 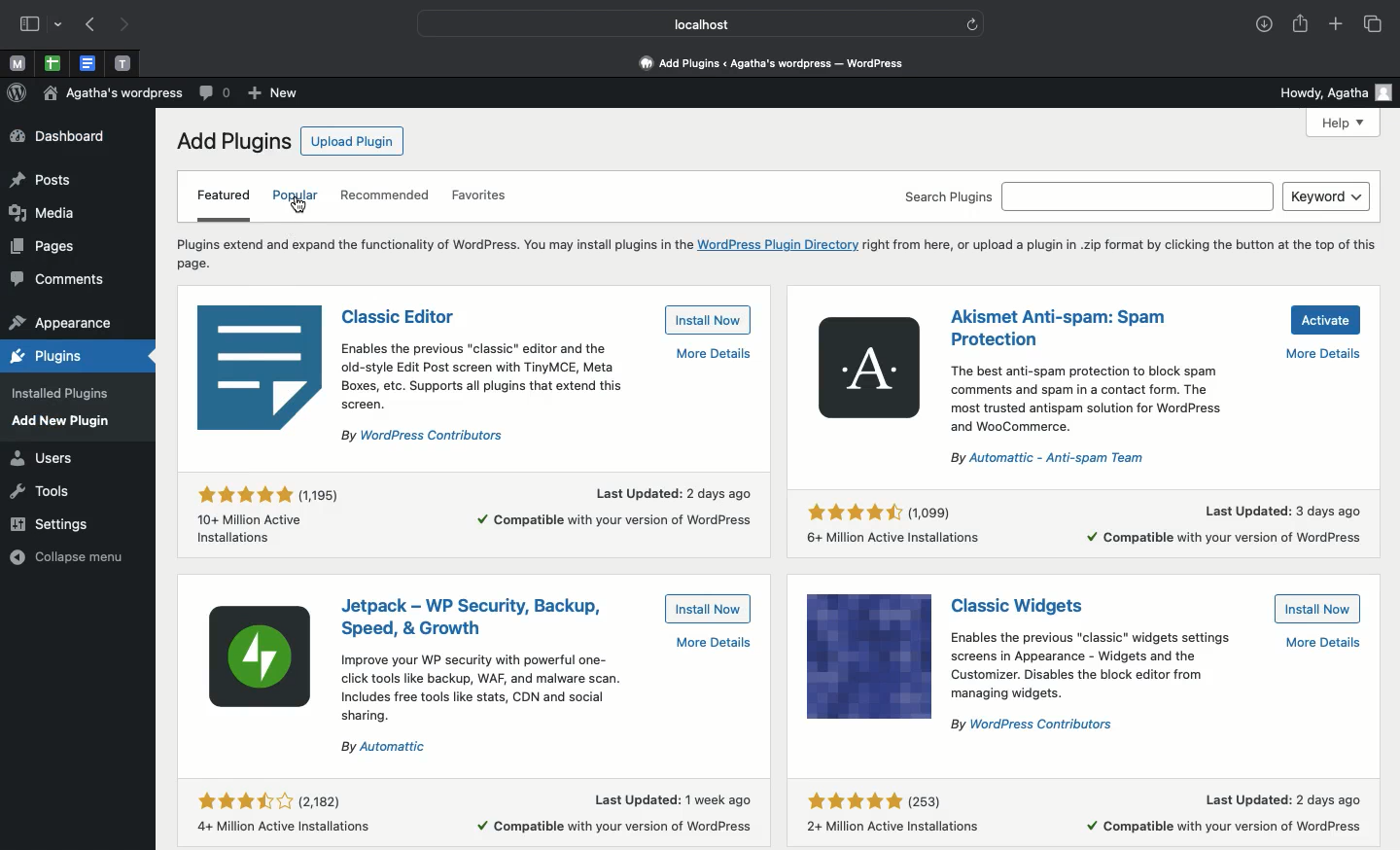 I want to click on Rating, so click(x=895, y=524).